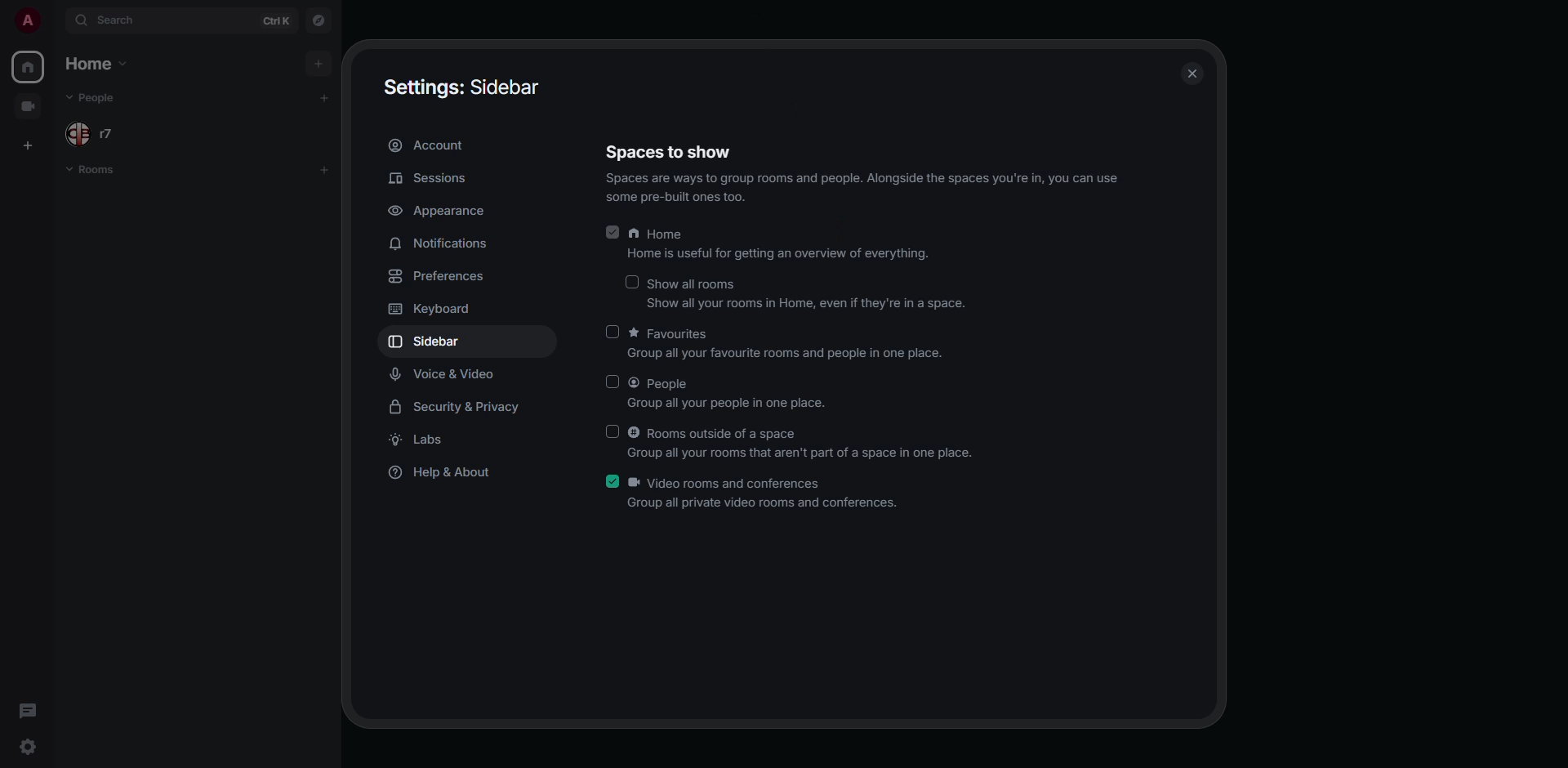 The width and height of the screenshot is (1568, 768). Describe the element at coordinates (27, 20) in the screenshot. I see `profile` at that location.